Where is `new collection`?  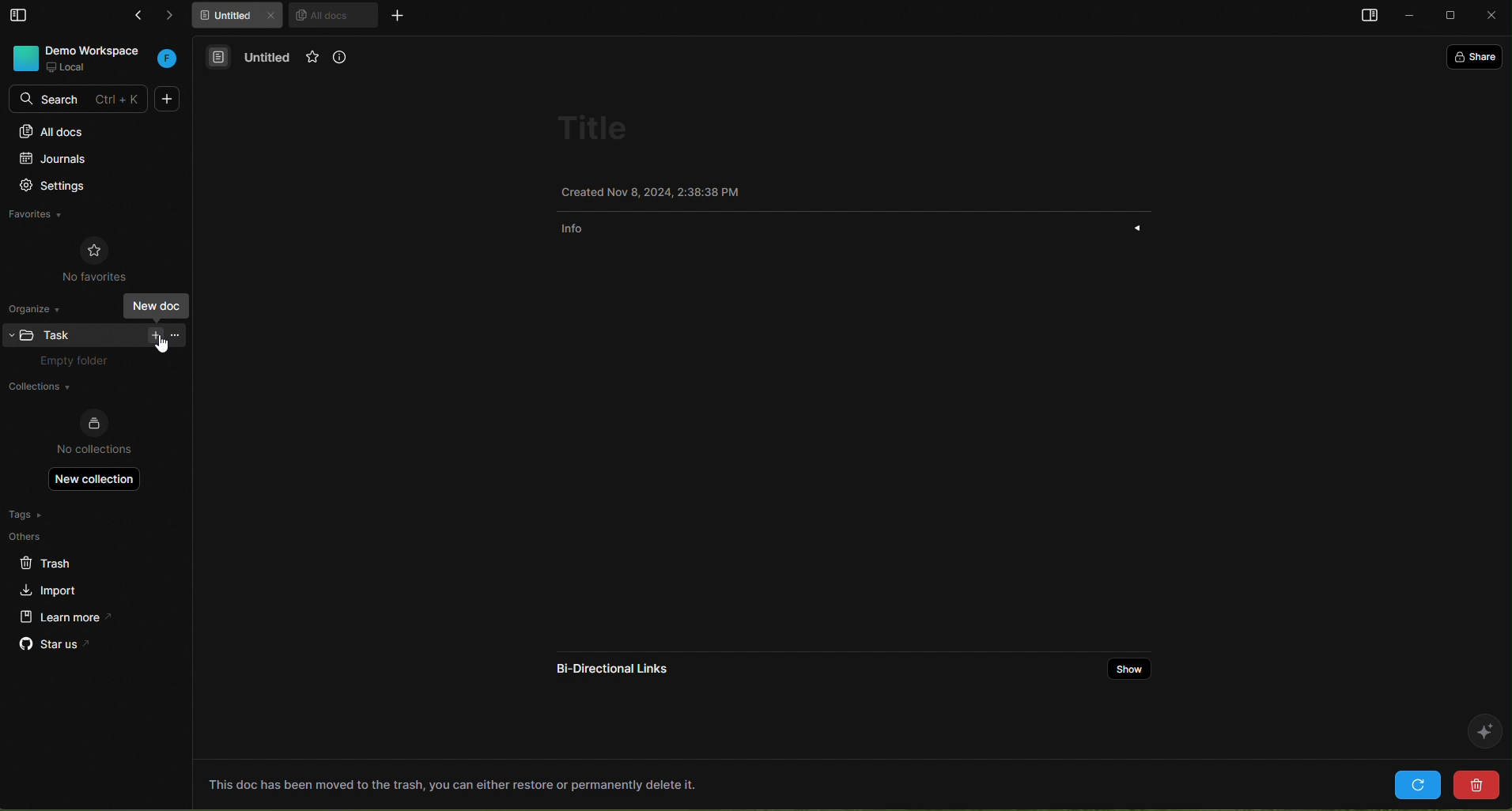
new collection is located at coordinates (95, 478).